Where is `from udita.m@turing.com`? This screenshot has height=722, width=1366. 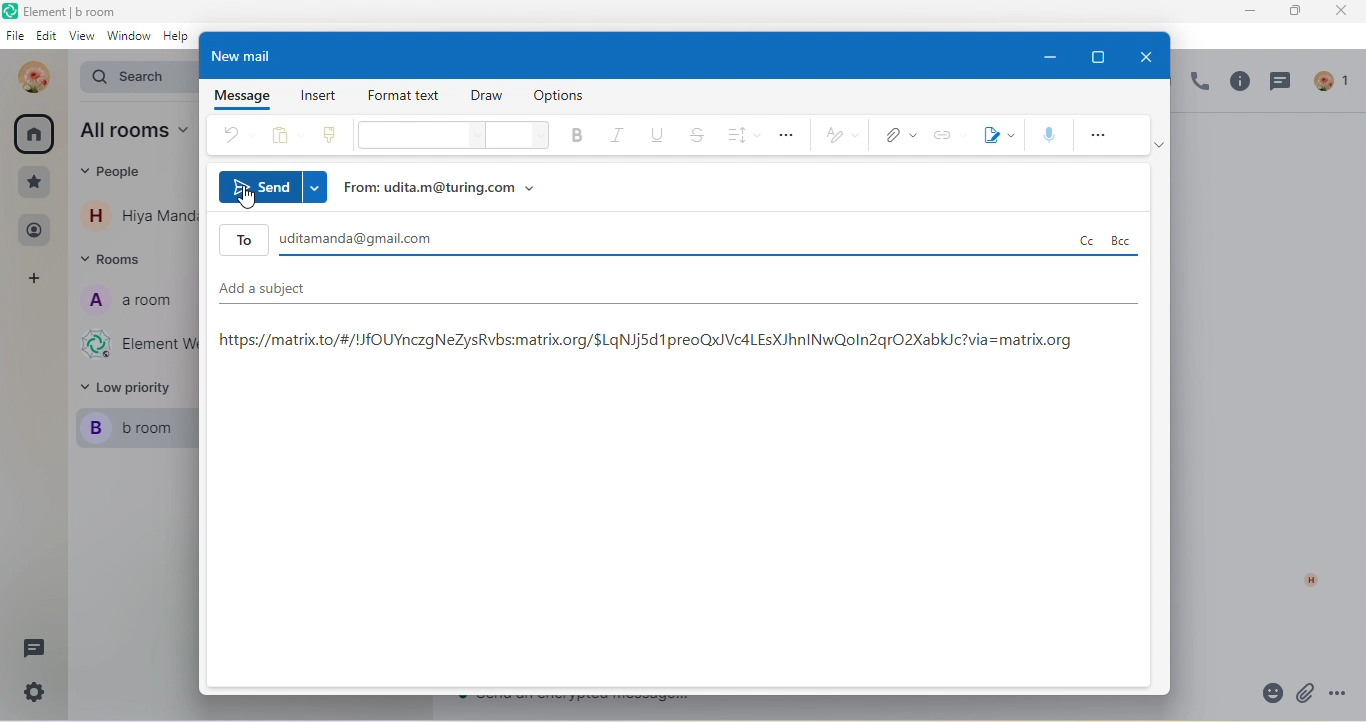 from udita.m@turing.com is located at coordinates (449, 189).